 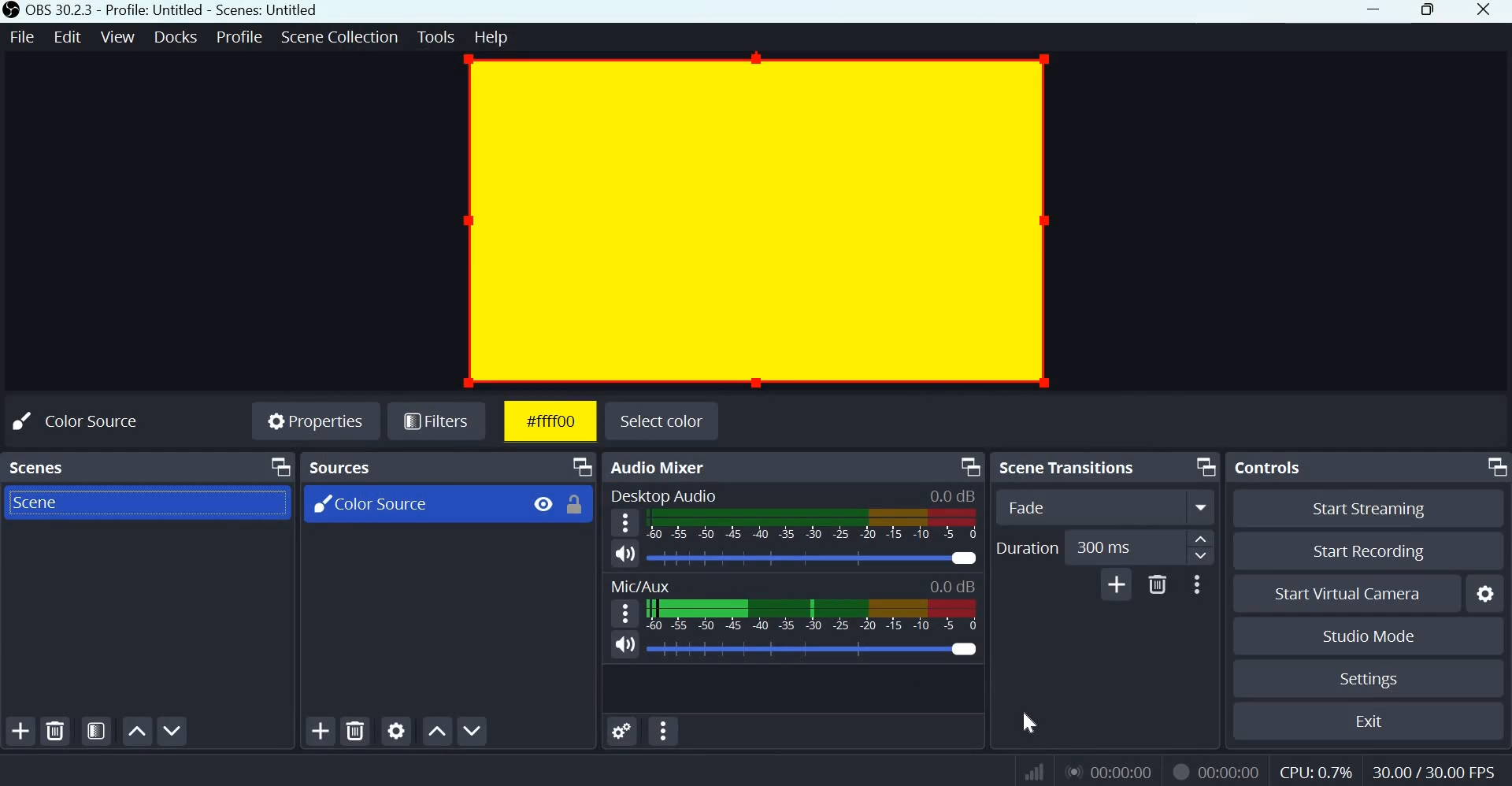 What do you see at coordinates (96, 732) in the screenshot?
I see `Open scene filters` at bounding box center [96, 732].